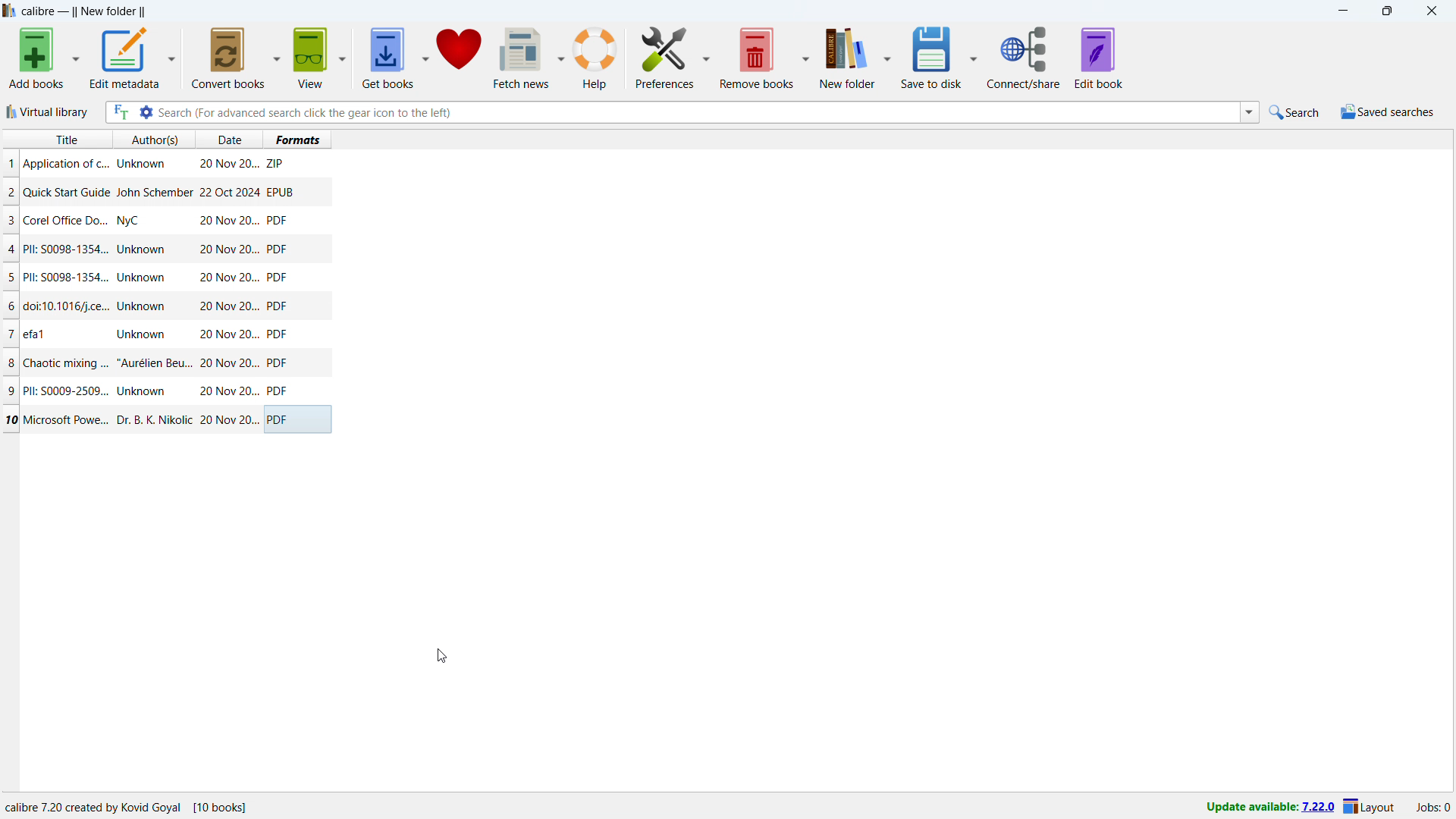  I want to click on preferences options, so click(706, 56).